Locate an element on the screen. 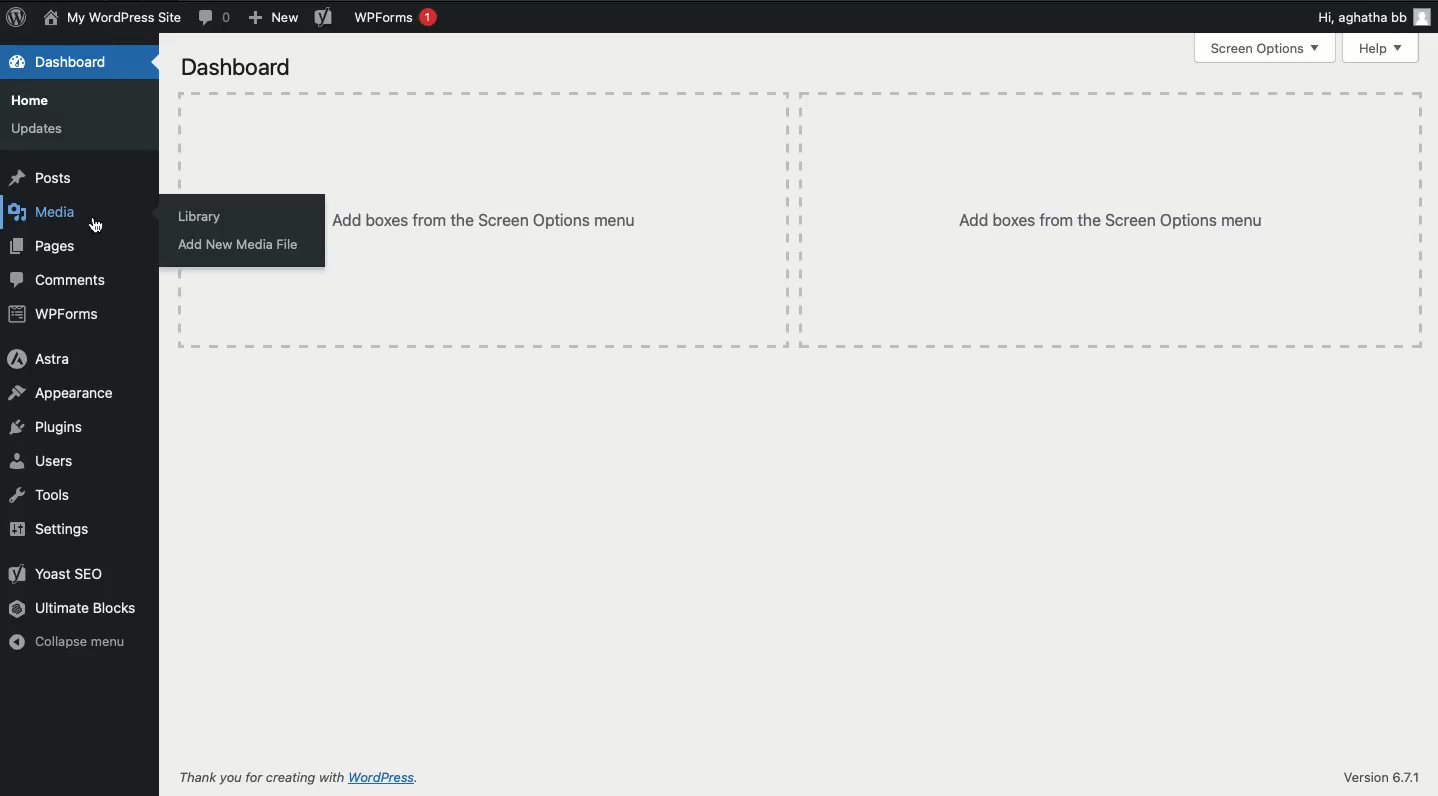 The image size is (1438, 796). Dashboard is located at coordinates (236, 66).